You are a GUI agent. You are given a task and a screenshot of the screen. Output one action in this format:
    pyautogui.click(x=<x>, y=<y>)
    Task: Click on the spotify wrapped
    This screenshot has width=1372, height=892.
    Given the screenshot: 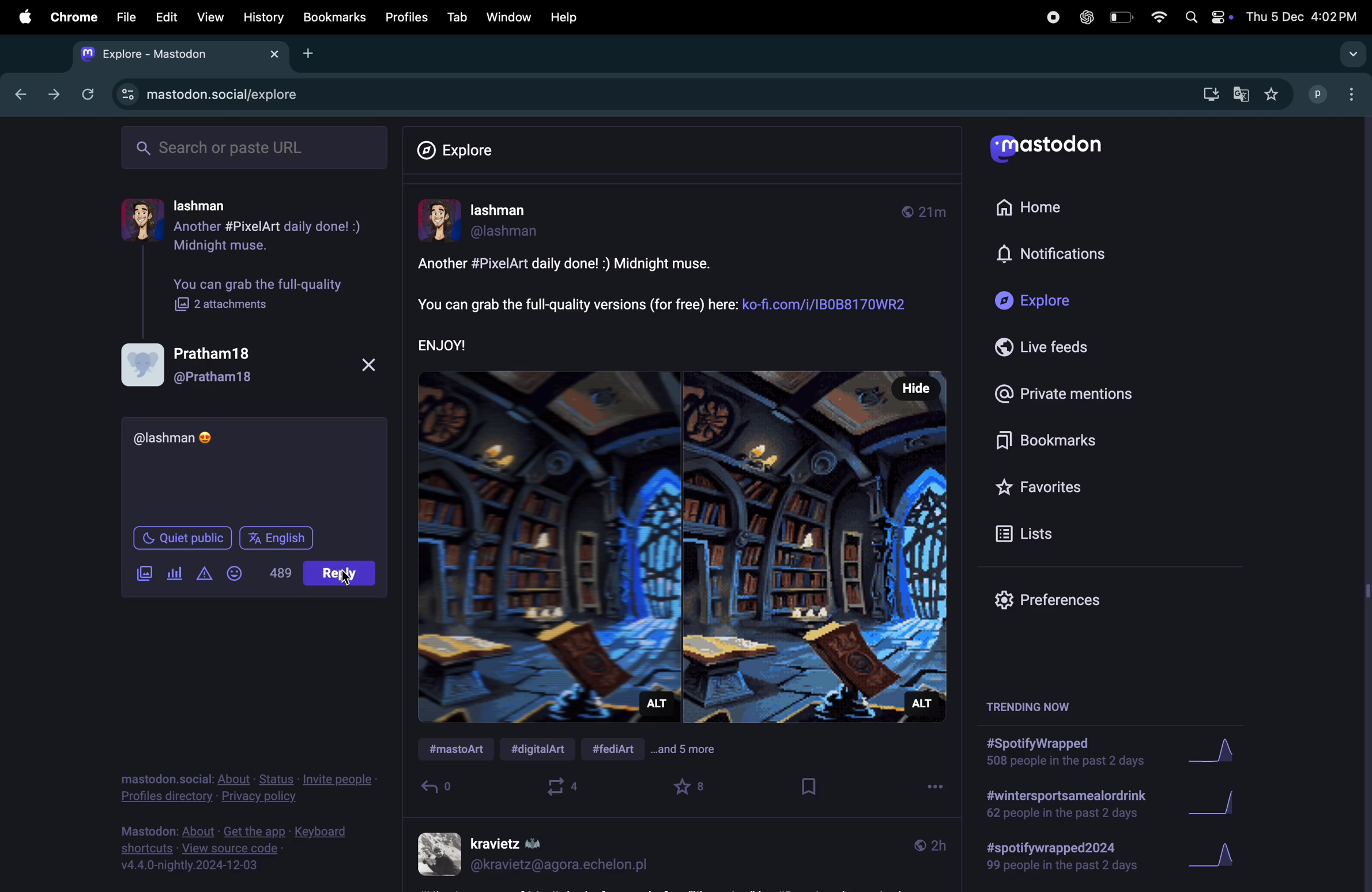 What is the action you would take?
    pyautogui.click(x=1064, y=755)
    